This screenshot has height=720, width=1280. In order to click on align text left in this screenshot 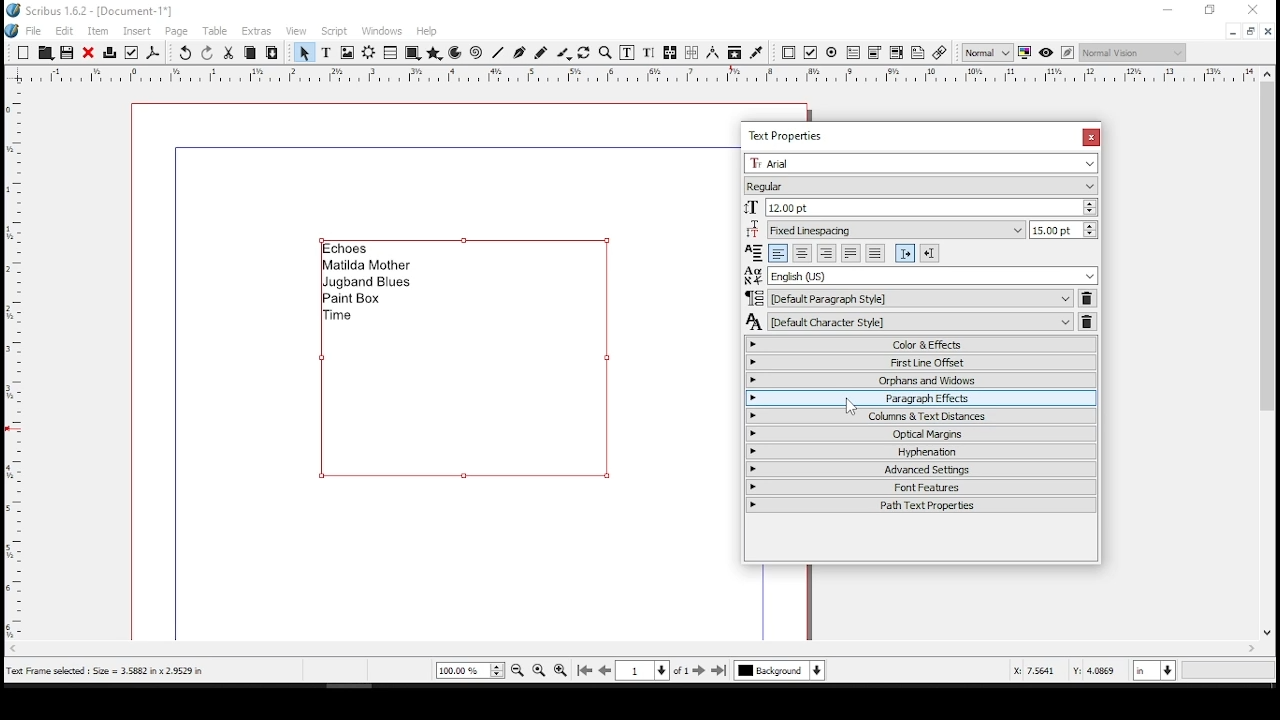, I will do `click(776, 253)`.